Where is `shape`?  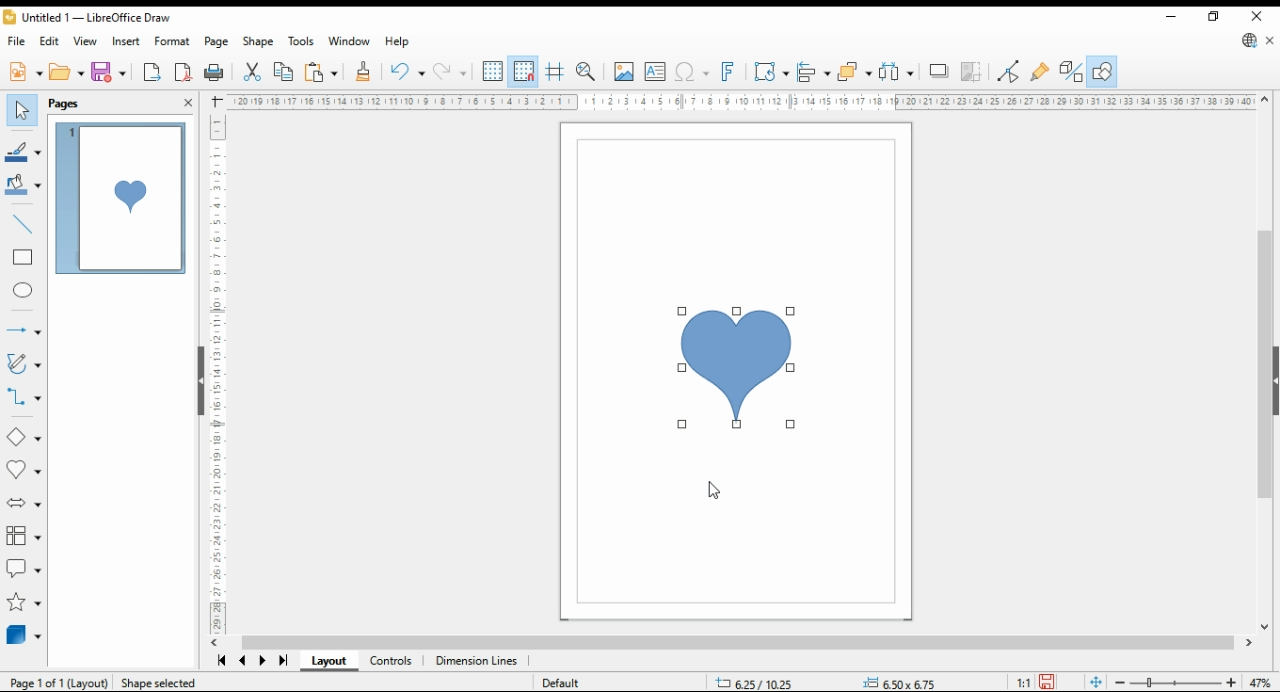 shape is located at coordinates (258, 42).